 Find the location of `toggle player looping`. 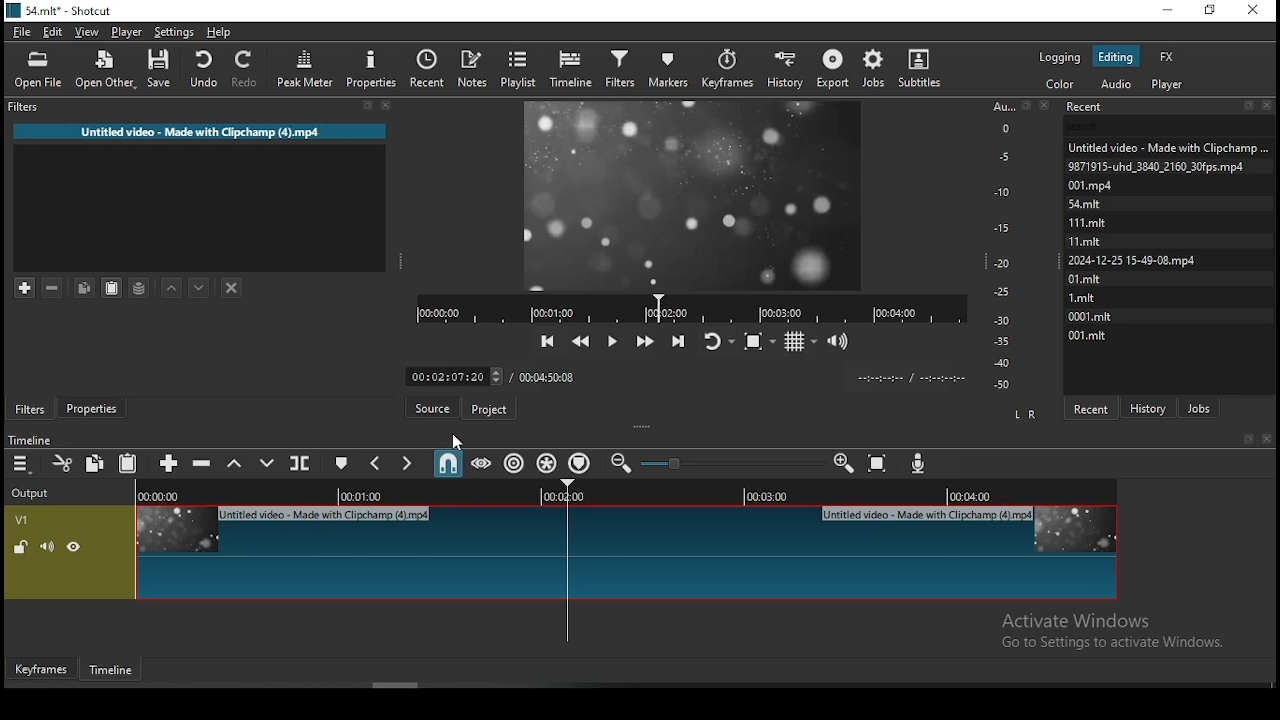

toggle player looping is located at coordinates (718, 342).